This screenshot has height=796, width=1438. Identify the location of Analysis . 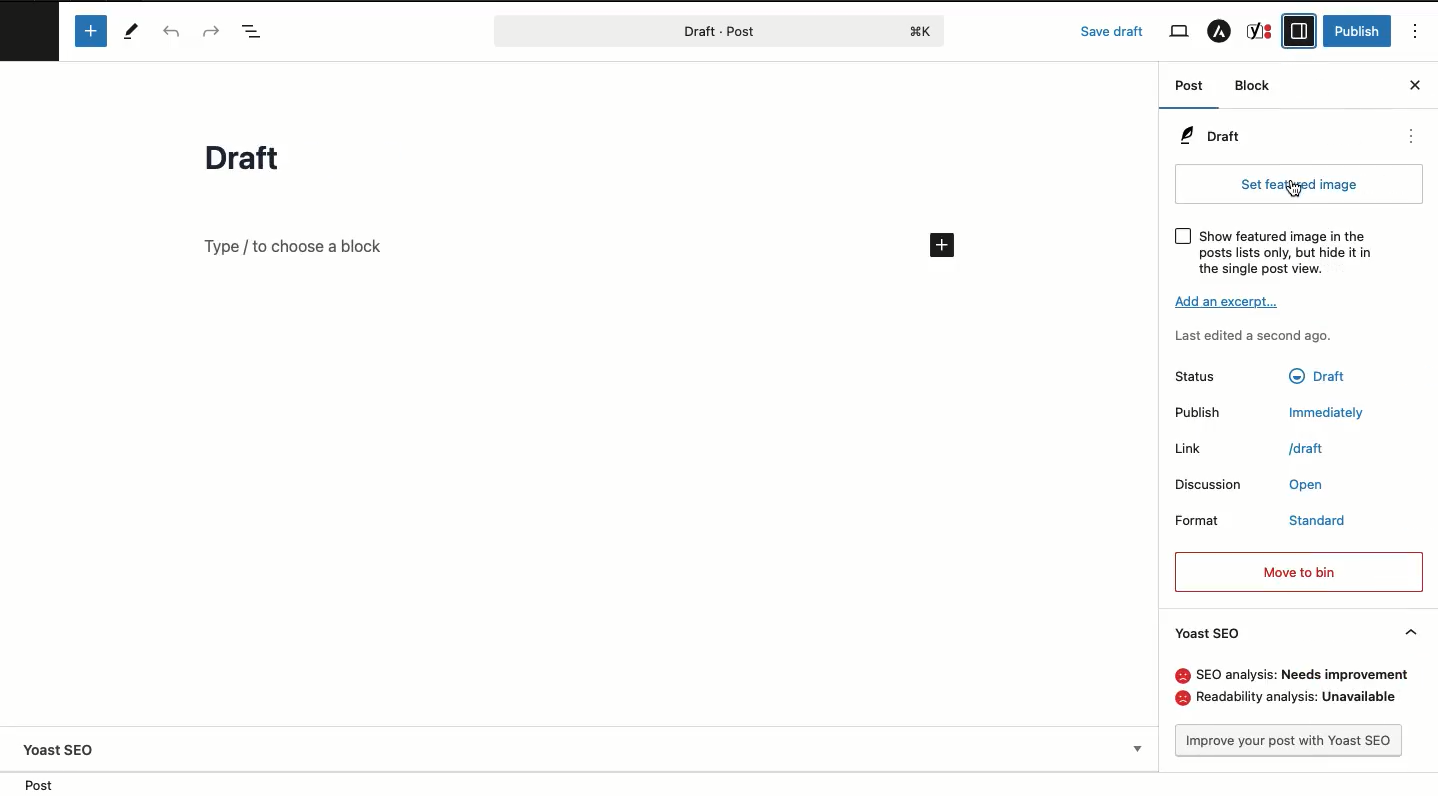
(1312, 676).